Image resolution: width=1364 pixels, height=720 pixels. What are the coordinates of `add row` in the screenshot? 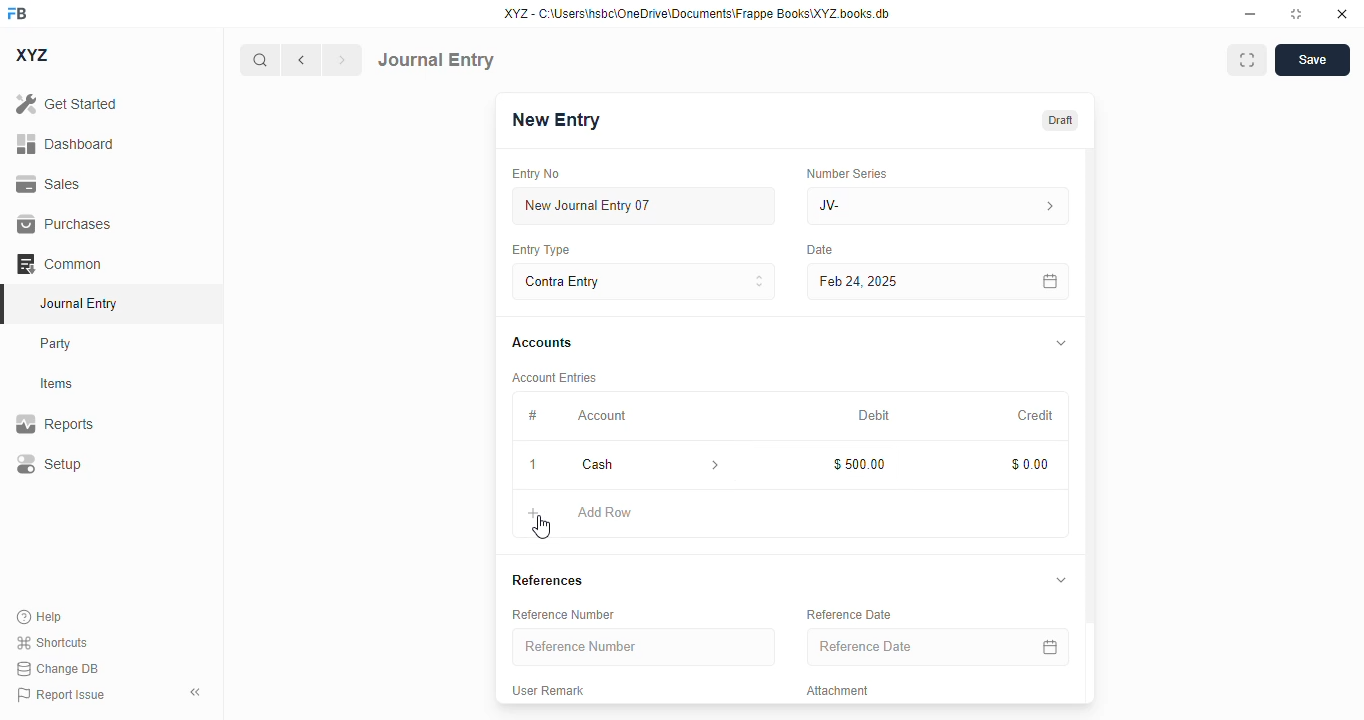 It's located at (605, 513).